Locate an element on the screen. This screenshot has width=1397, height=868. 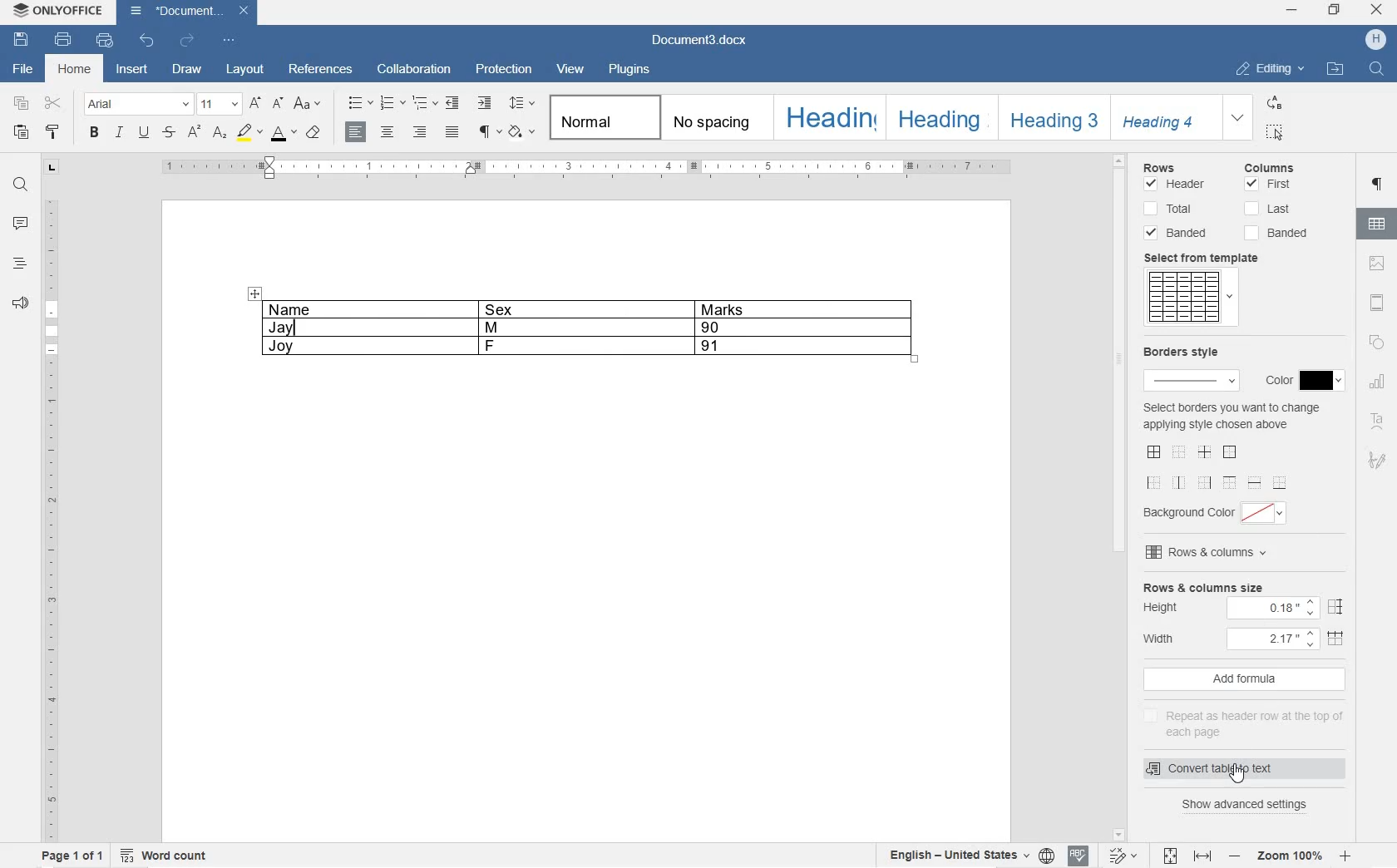
INCREMENT FONT SIZE is located at coordinates (256, 104).